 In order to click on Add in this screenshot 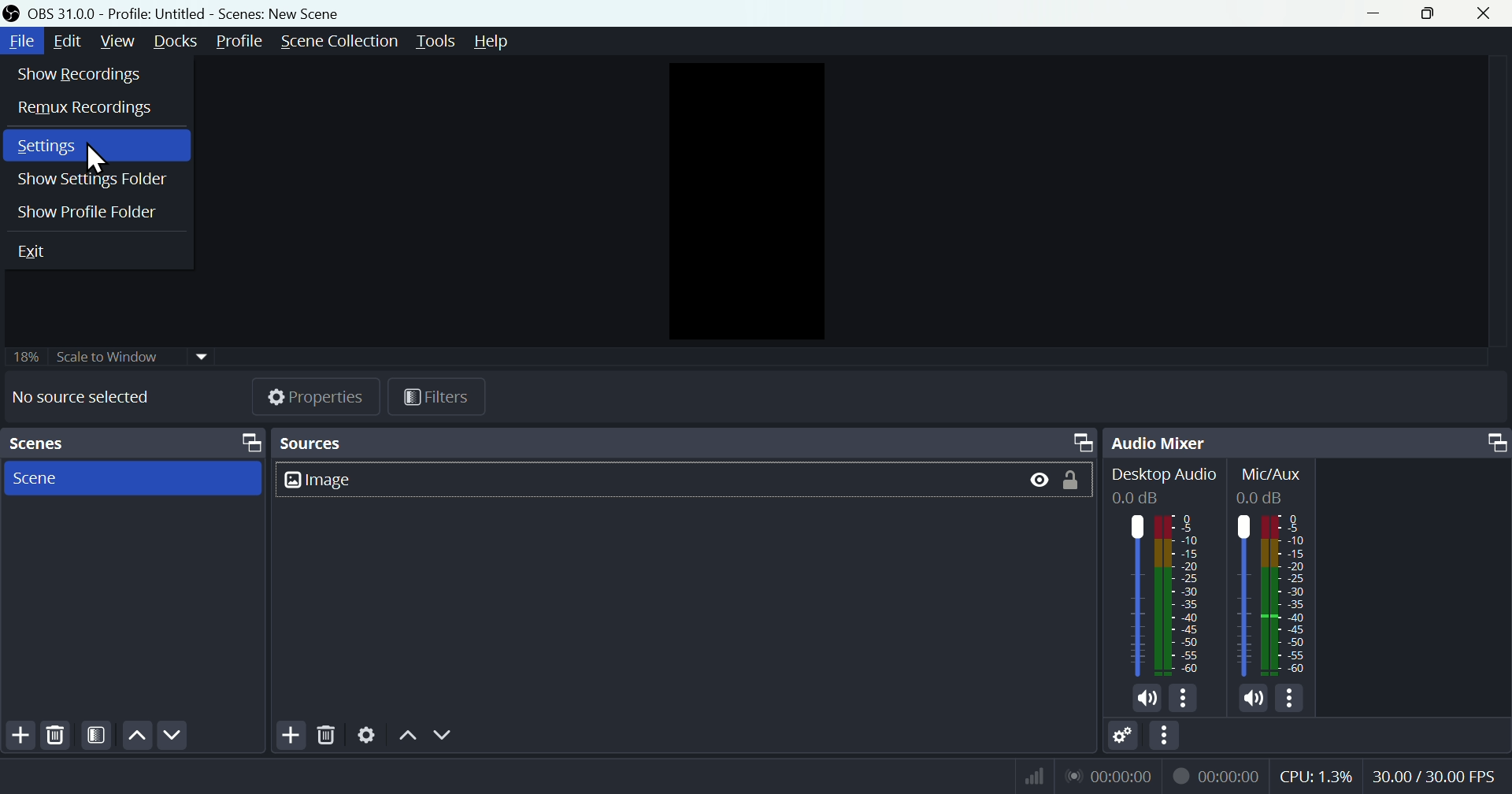, I will do `click(293, 735)`.